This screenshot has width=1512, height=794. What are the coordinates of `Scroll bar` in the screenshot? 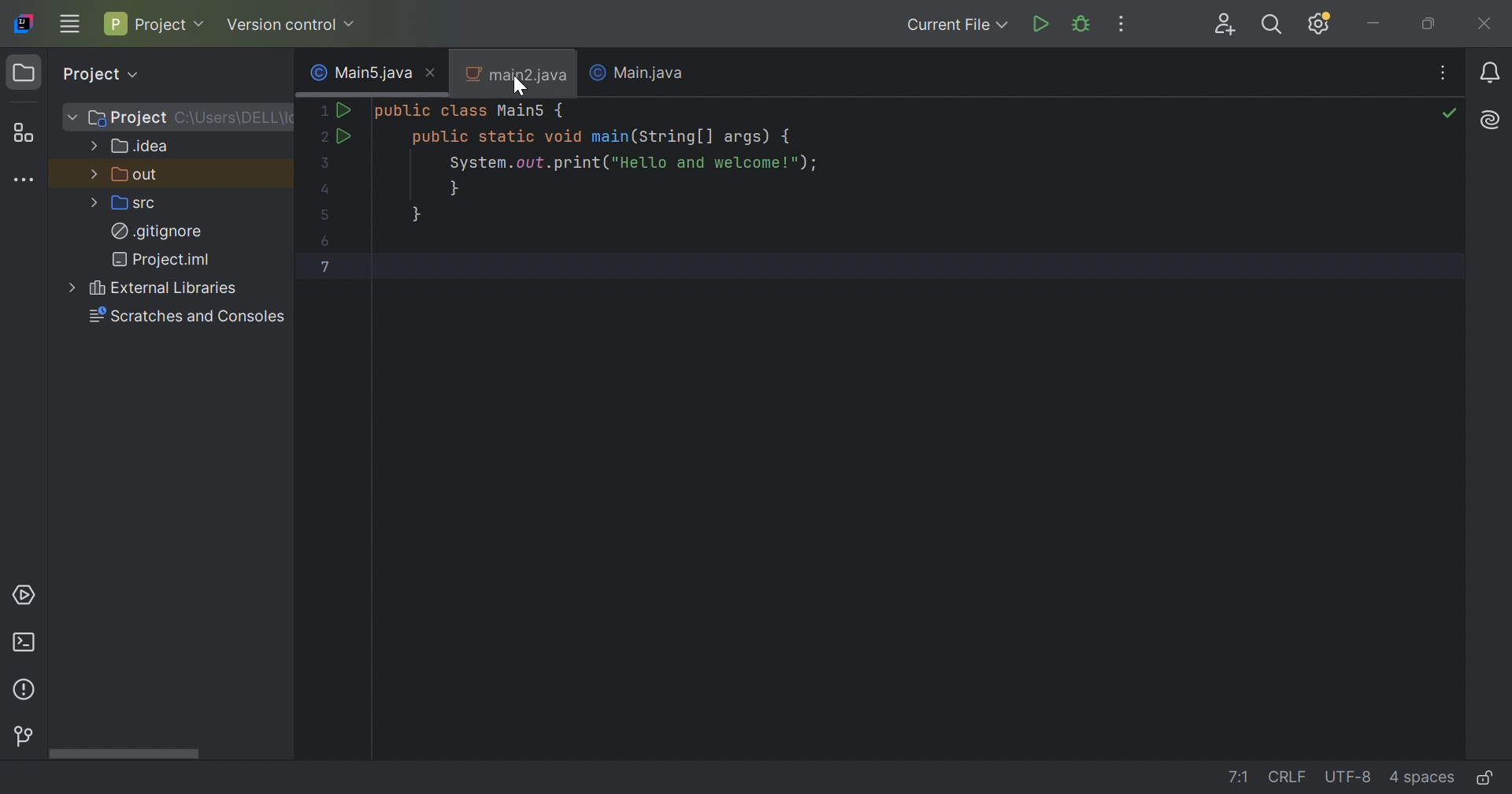 It's located at (121, 755).